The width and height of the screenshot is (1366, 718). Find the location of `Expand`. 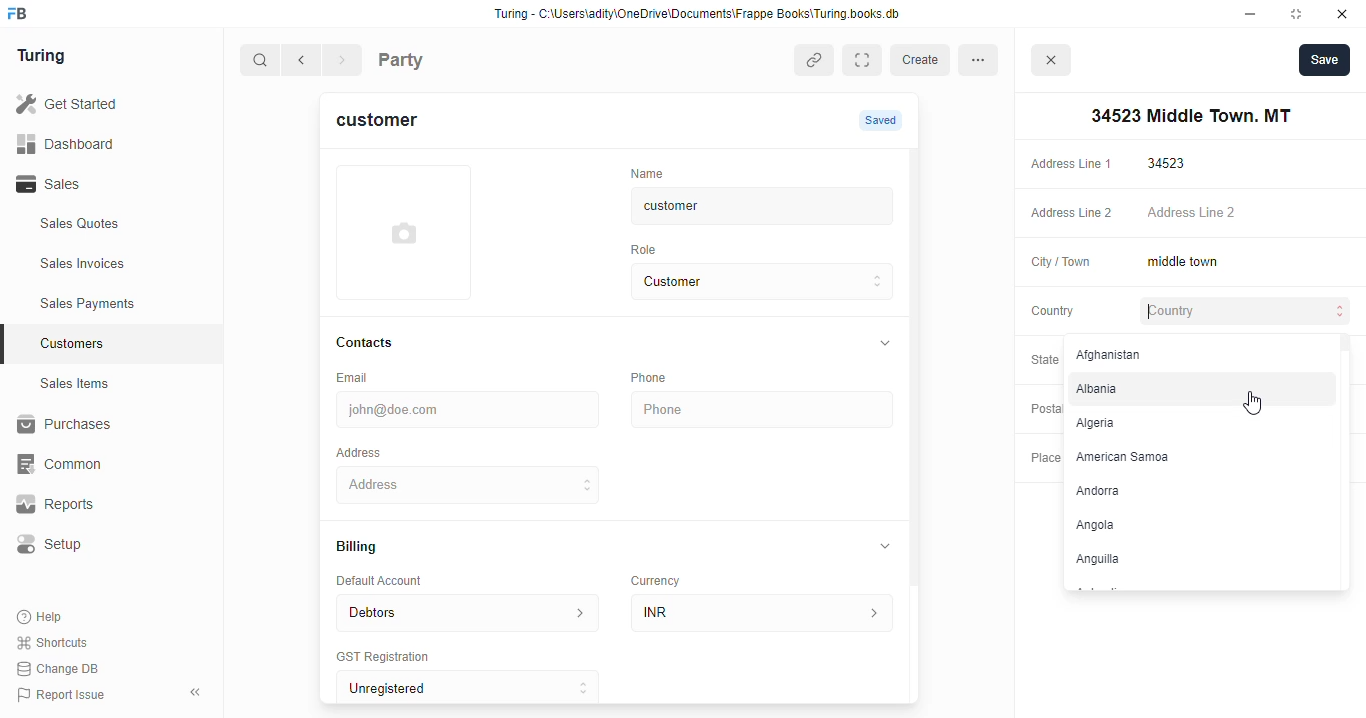

Expand is located at coordinates (866, 60).